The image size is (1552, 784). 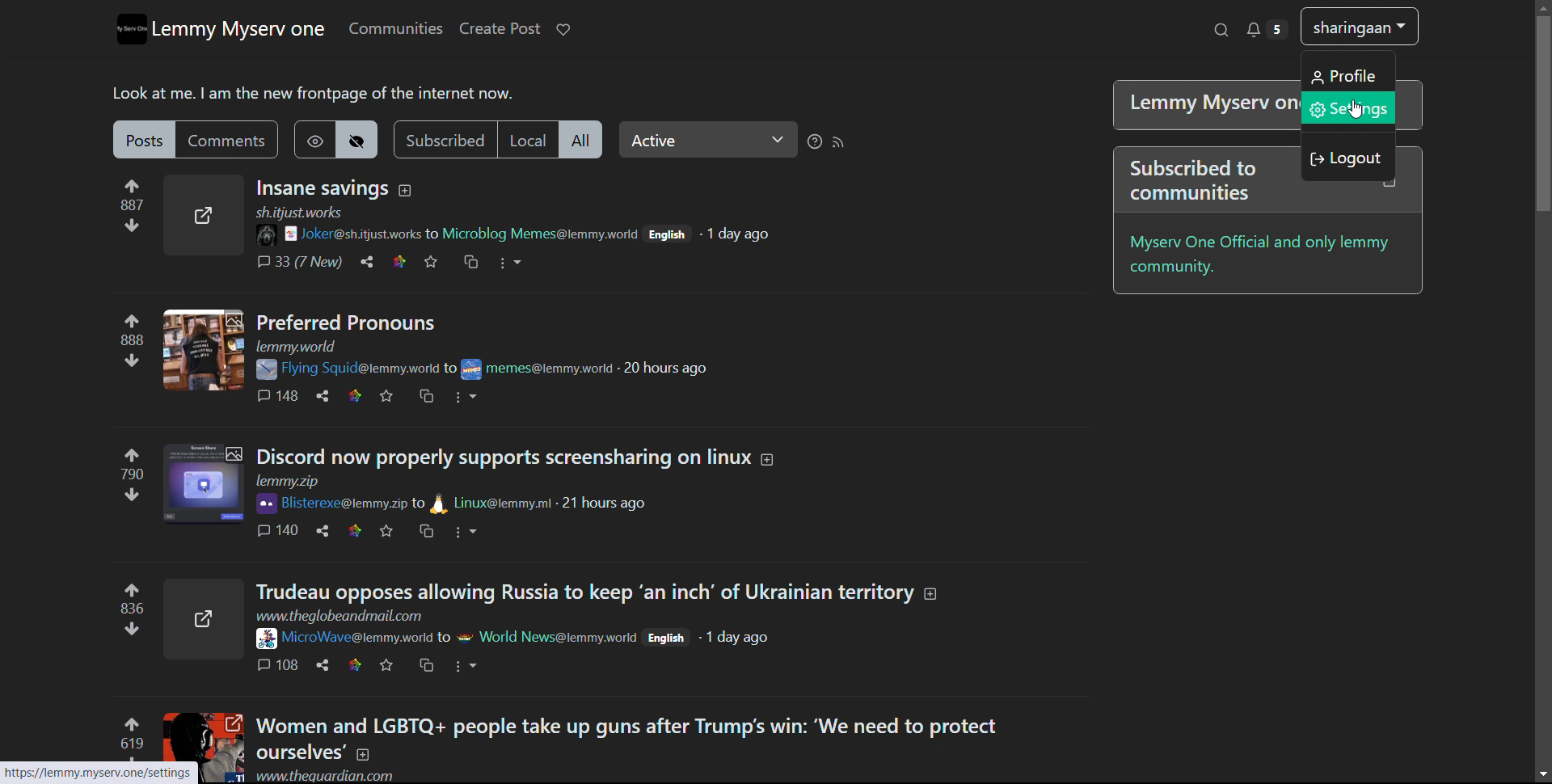 I want to click on Preferred Pronouns, so click(x=348, y=322).